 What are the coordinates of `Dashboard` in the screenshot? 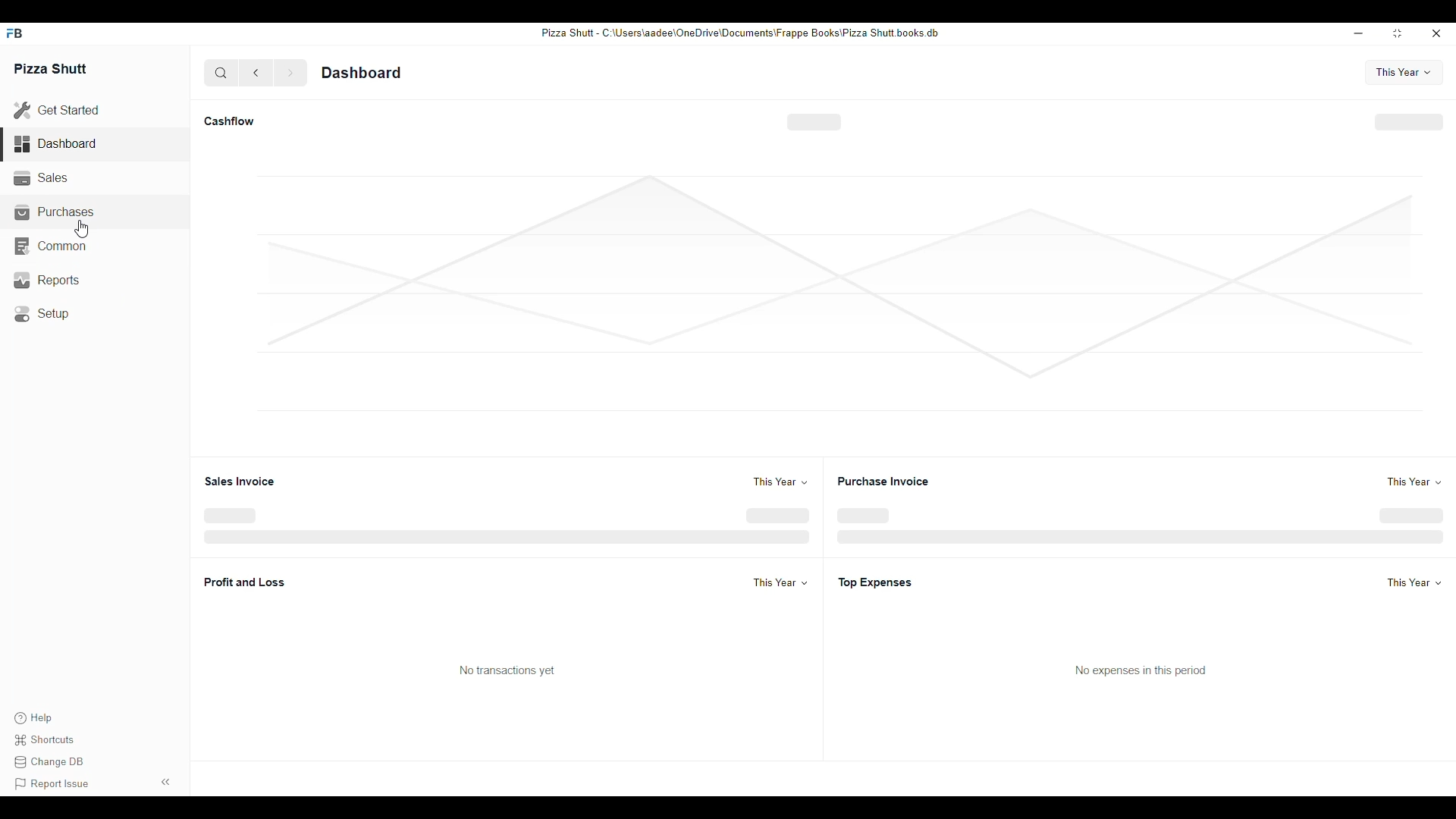 It's located at (57, 143).